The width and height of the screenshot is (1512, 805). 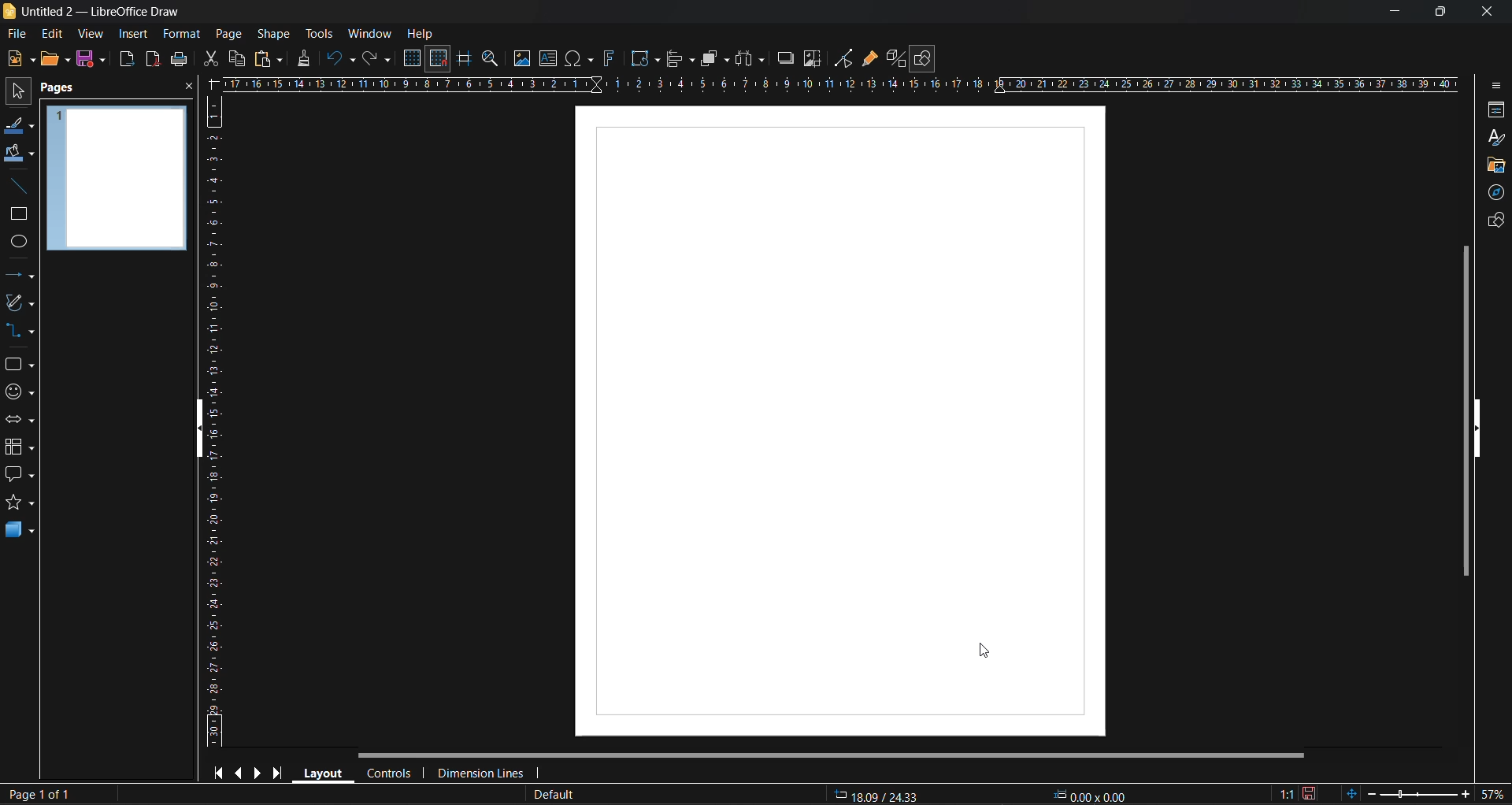 What do you see at coordinates (24, 447) in the screenshot?
I see `flowcharts` at bounding box center [24, 447].